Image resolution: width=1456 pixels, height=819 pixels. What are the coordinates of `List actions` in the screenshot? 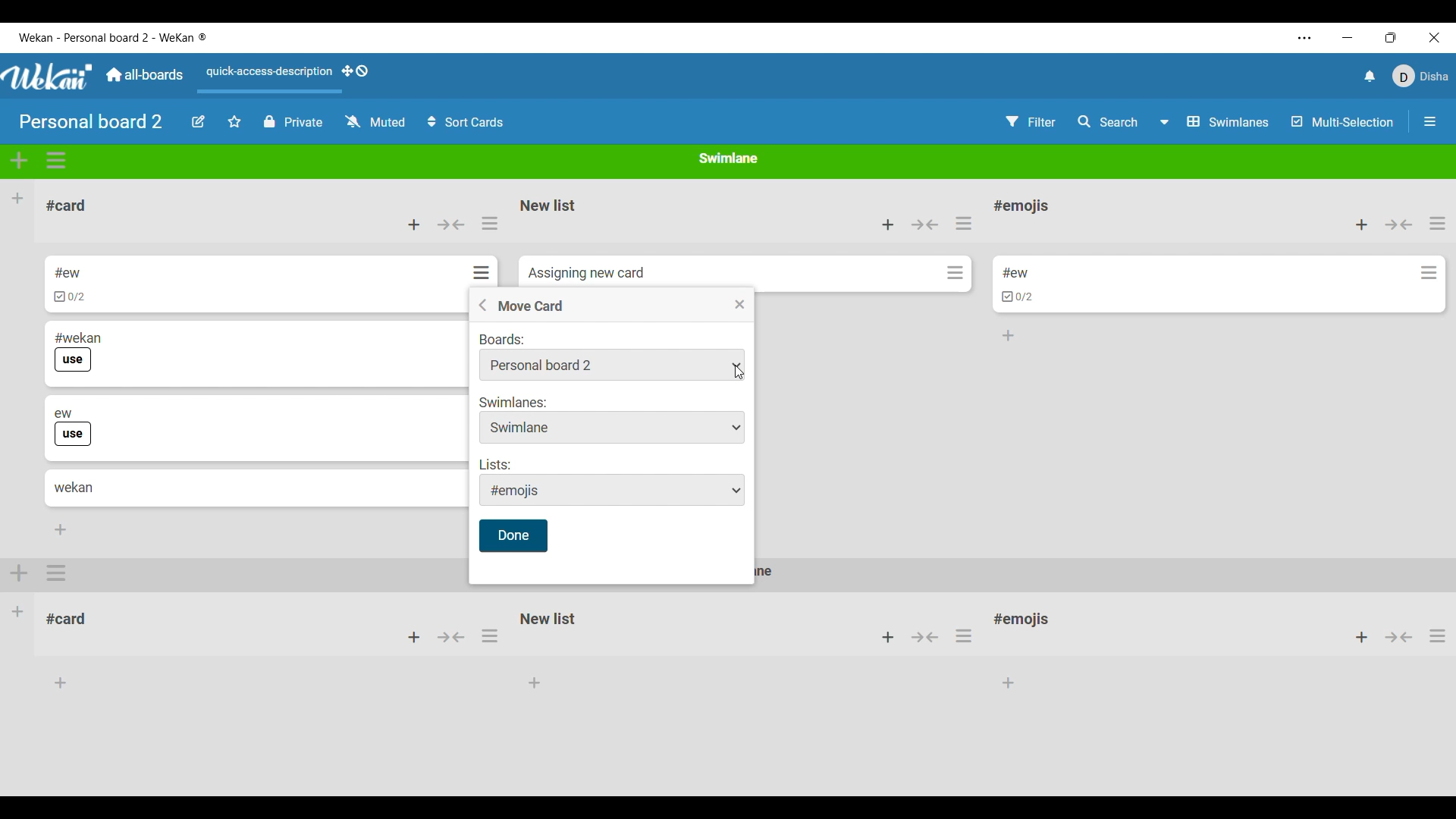 It's located at (1438, 223).